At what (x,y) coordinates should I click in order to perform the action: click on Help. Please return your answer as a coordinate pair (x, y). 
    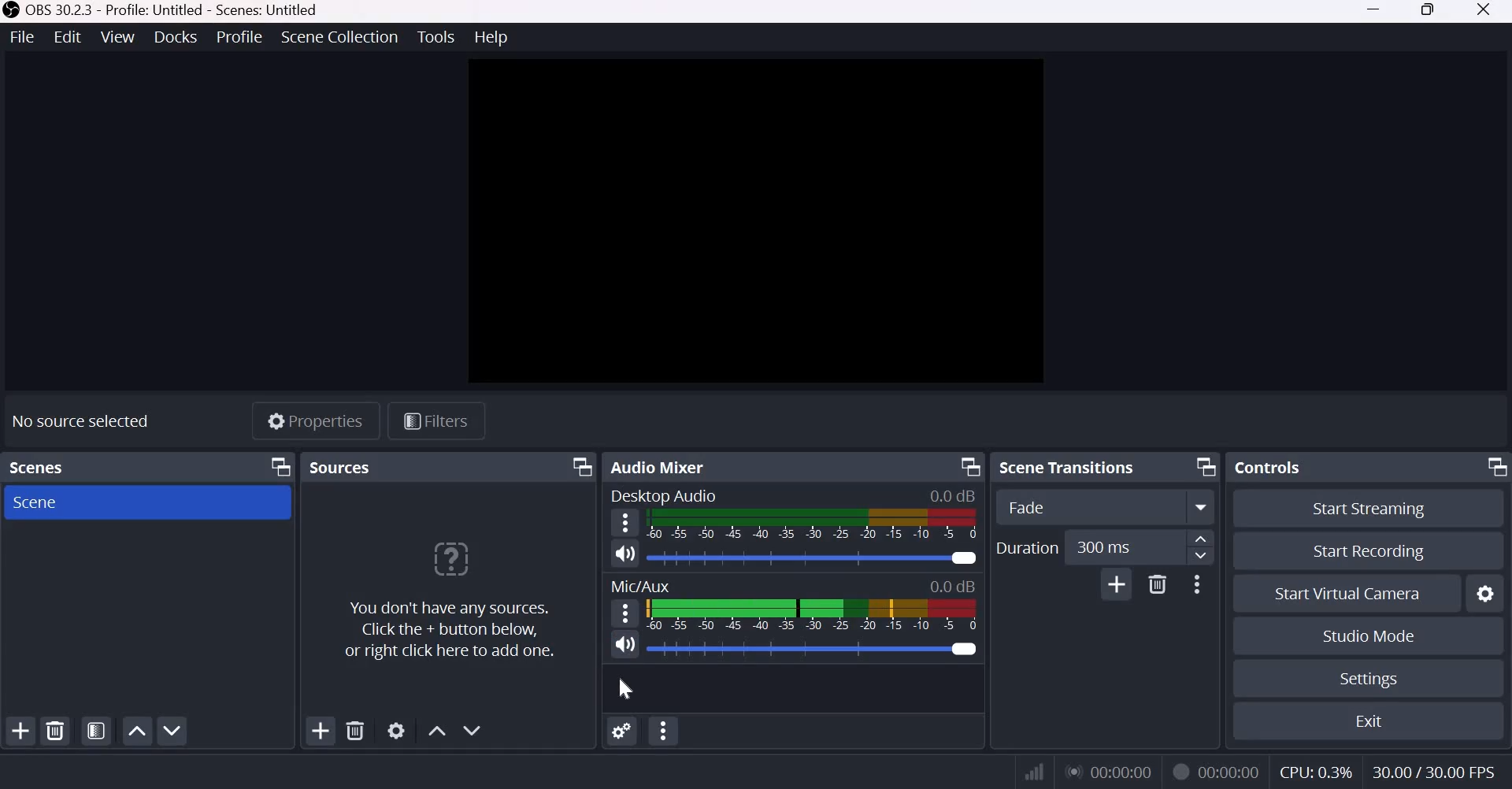
    Looking at the image, I should click on (493, 36).